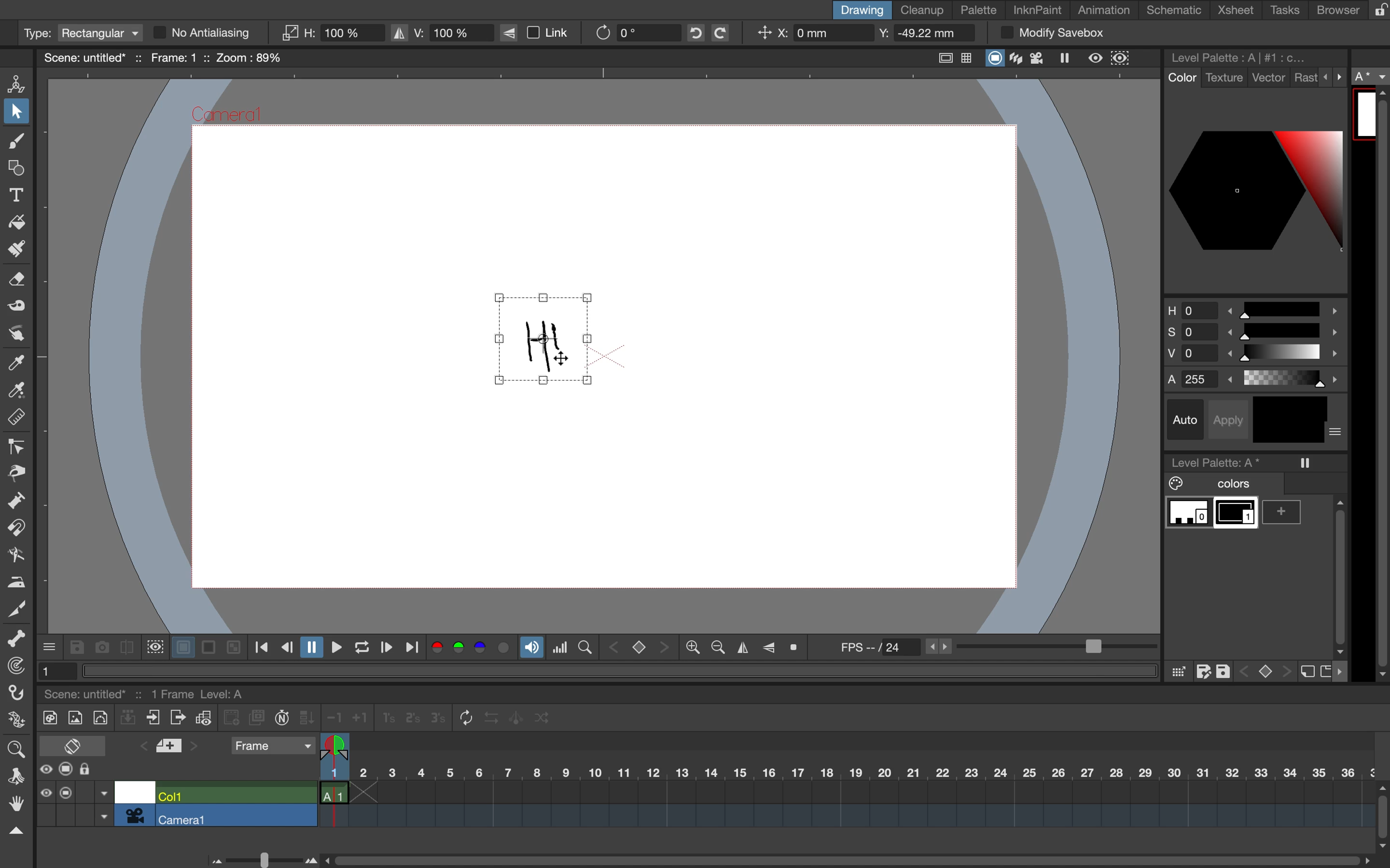  What do you see at coordinates (17, 580) in the screenshot?
I see `iron tool` at bounding box center [17, 580].